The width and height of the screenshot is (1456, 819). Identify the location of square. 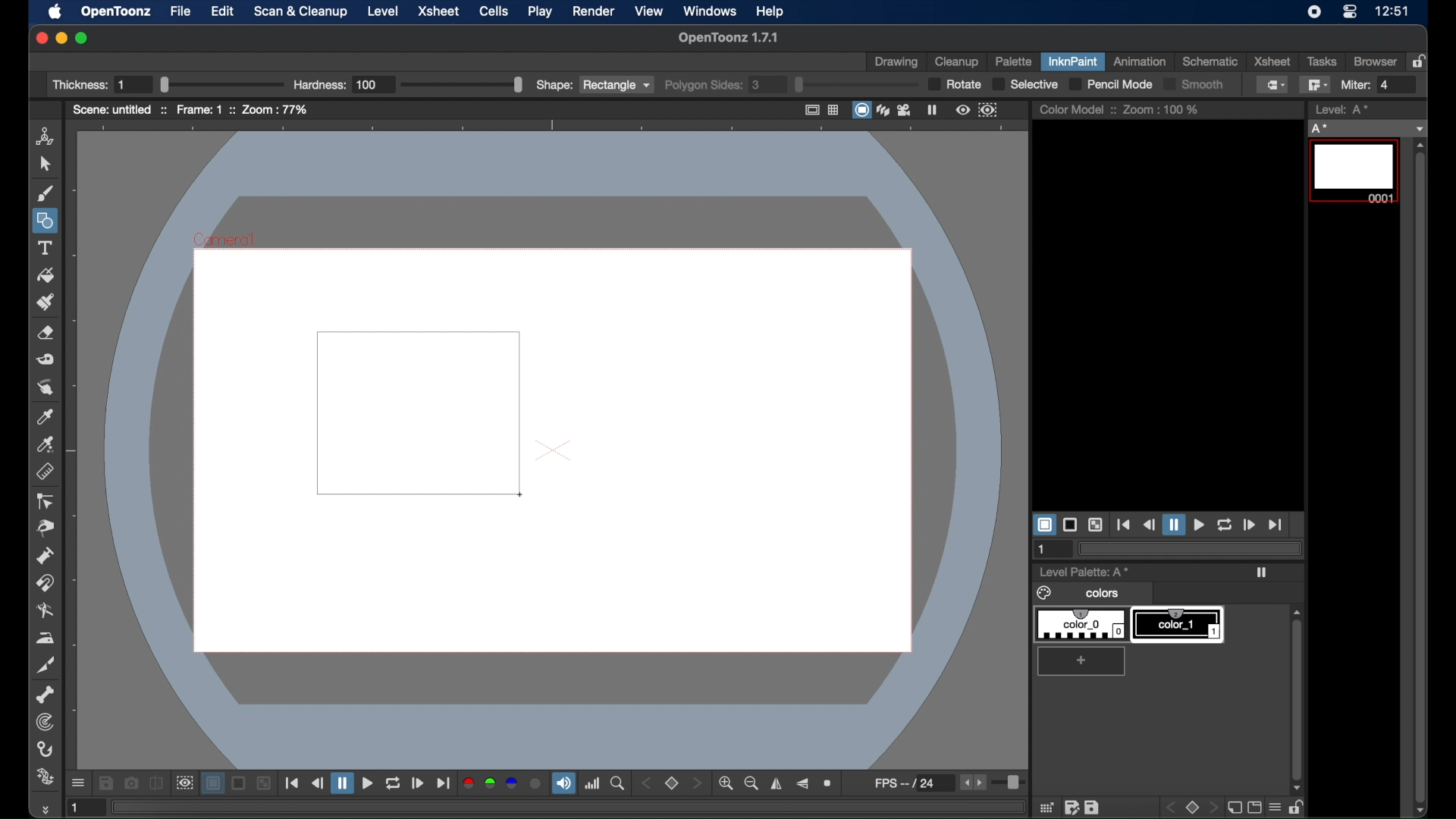
(442, 424).